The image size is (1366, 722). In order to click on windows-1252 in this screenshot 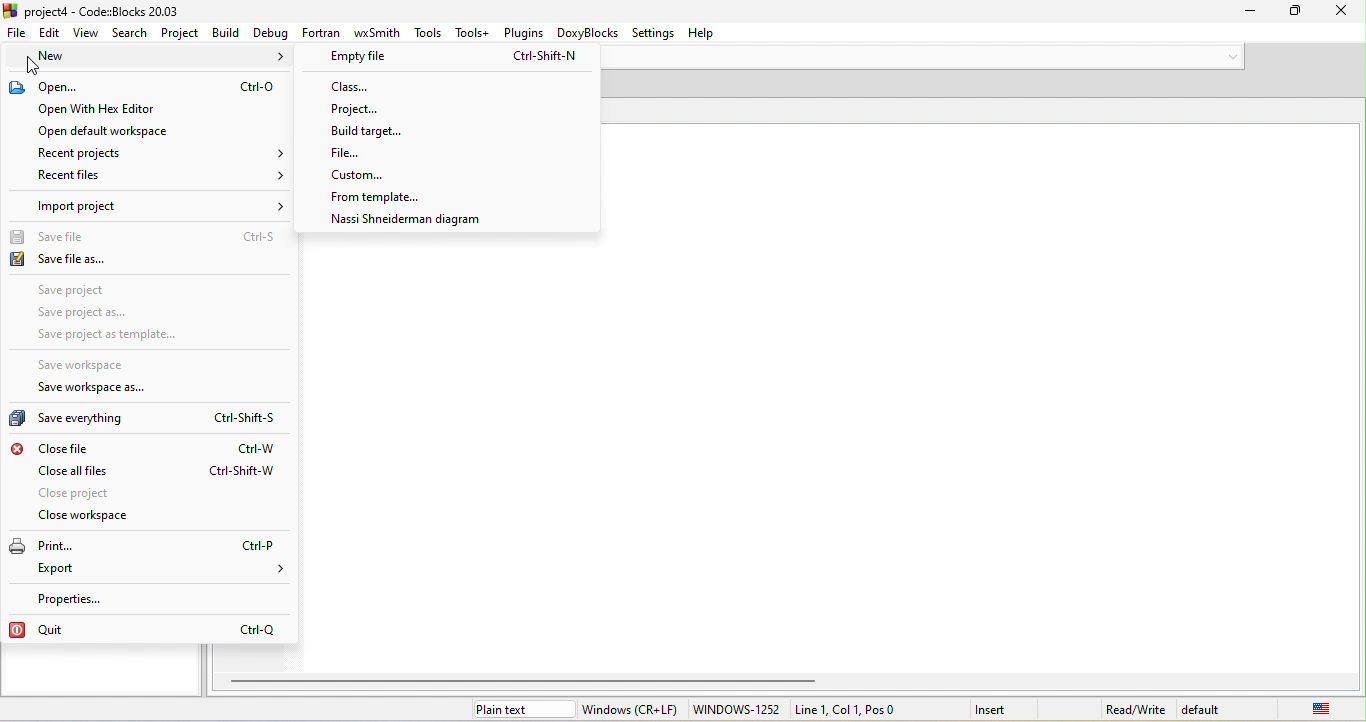, I will do `click(736, 710)`.